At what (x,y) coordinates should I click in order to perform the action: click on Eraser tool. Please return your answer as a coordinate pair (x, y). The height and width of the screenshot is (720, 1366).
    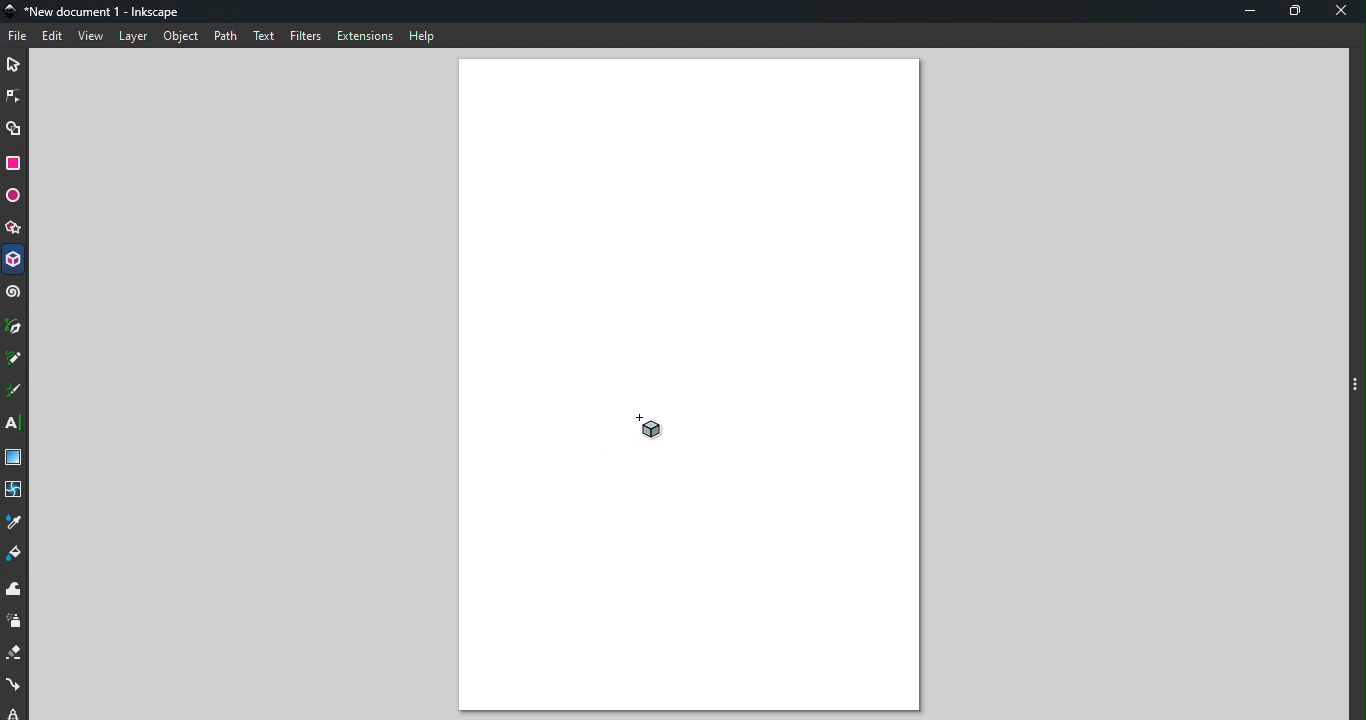
    Looking at the image, I should click on (15, 655).